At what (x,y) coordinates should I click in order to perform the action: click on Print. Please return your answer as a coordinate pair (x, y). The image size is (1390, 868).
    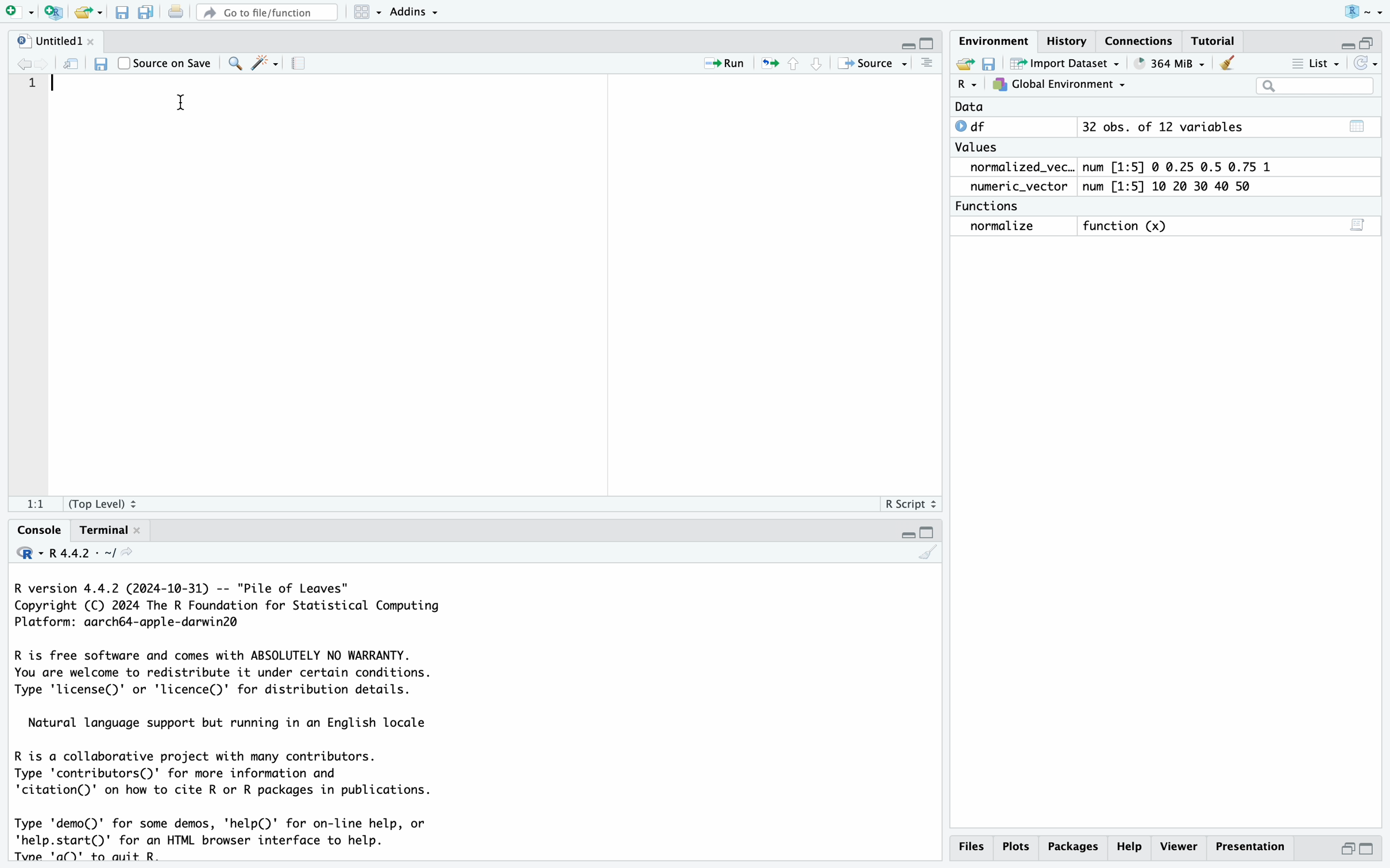
    Looking at the image, I should click on (175, 13).